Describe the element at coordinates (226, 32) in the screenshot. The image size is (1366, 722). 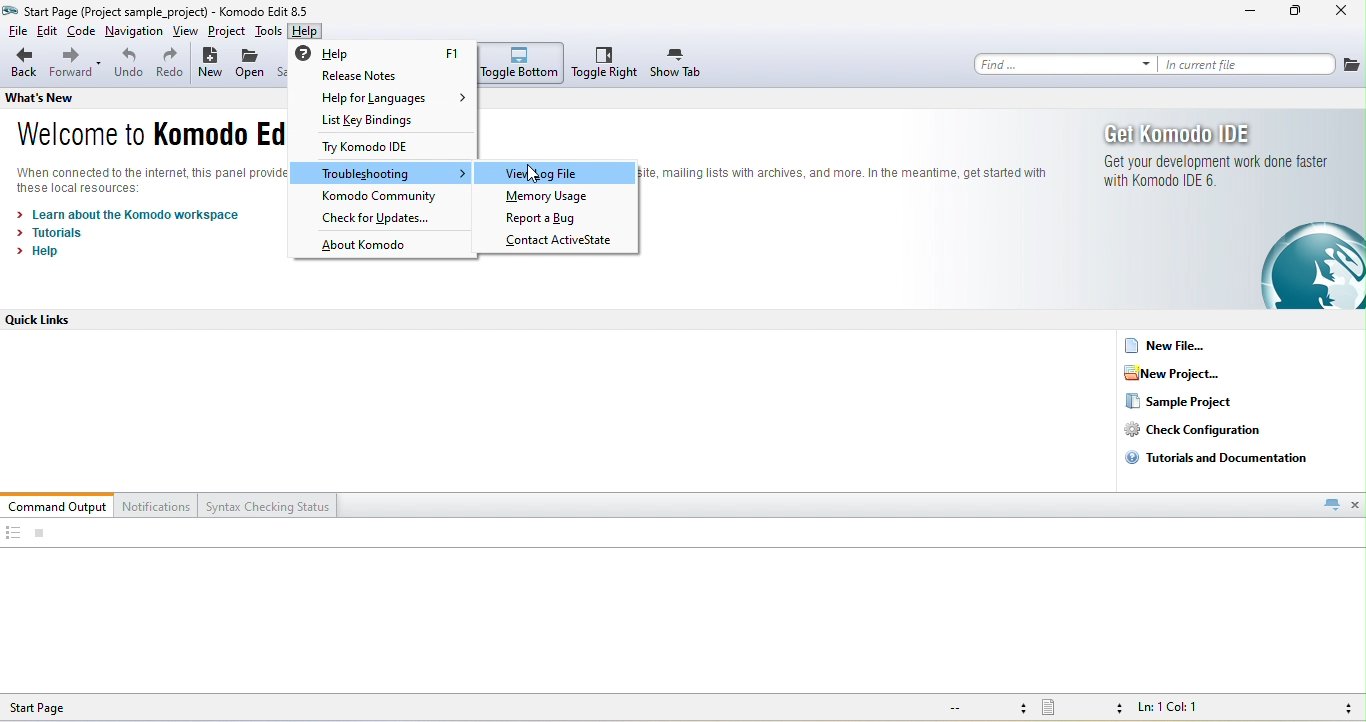
I see `project` at that location.